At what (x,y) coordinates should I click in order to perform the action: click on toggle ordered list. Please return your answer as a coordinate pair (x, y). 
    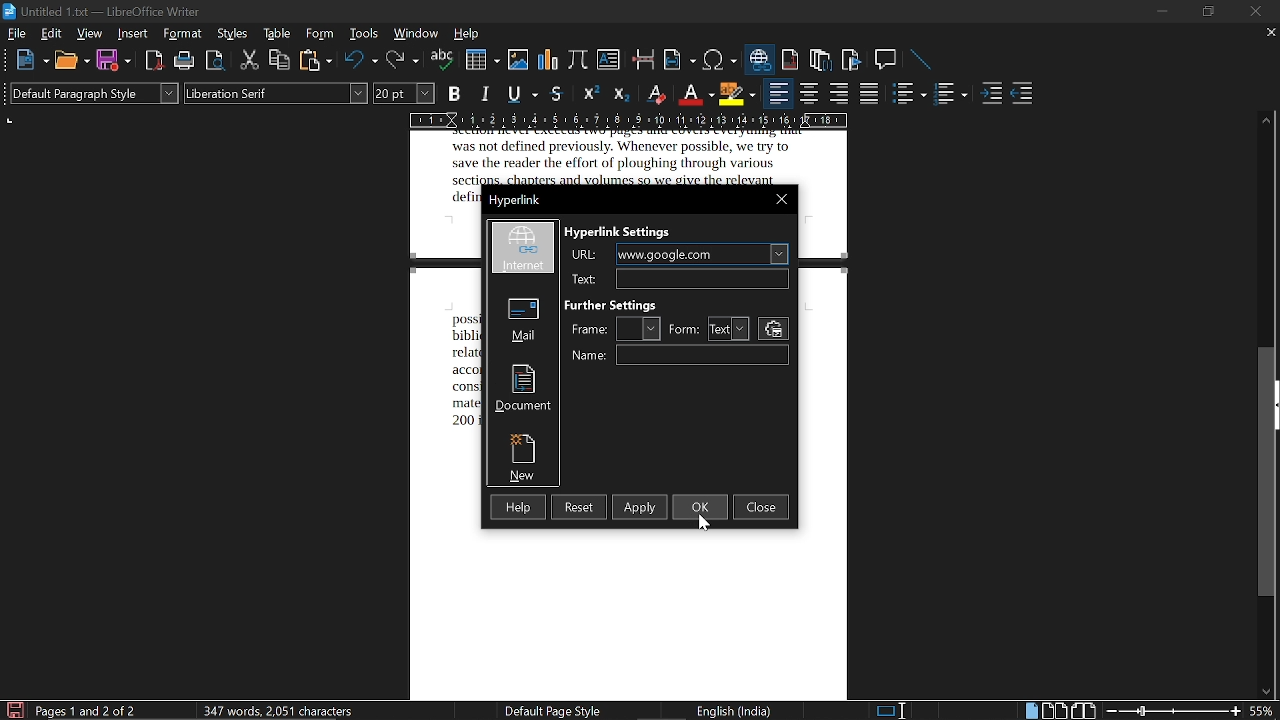
    Looking at the image, I should click on (910, 95).